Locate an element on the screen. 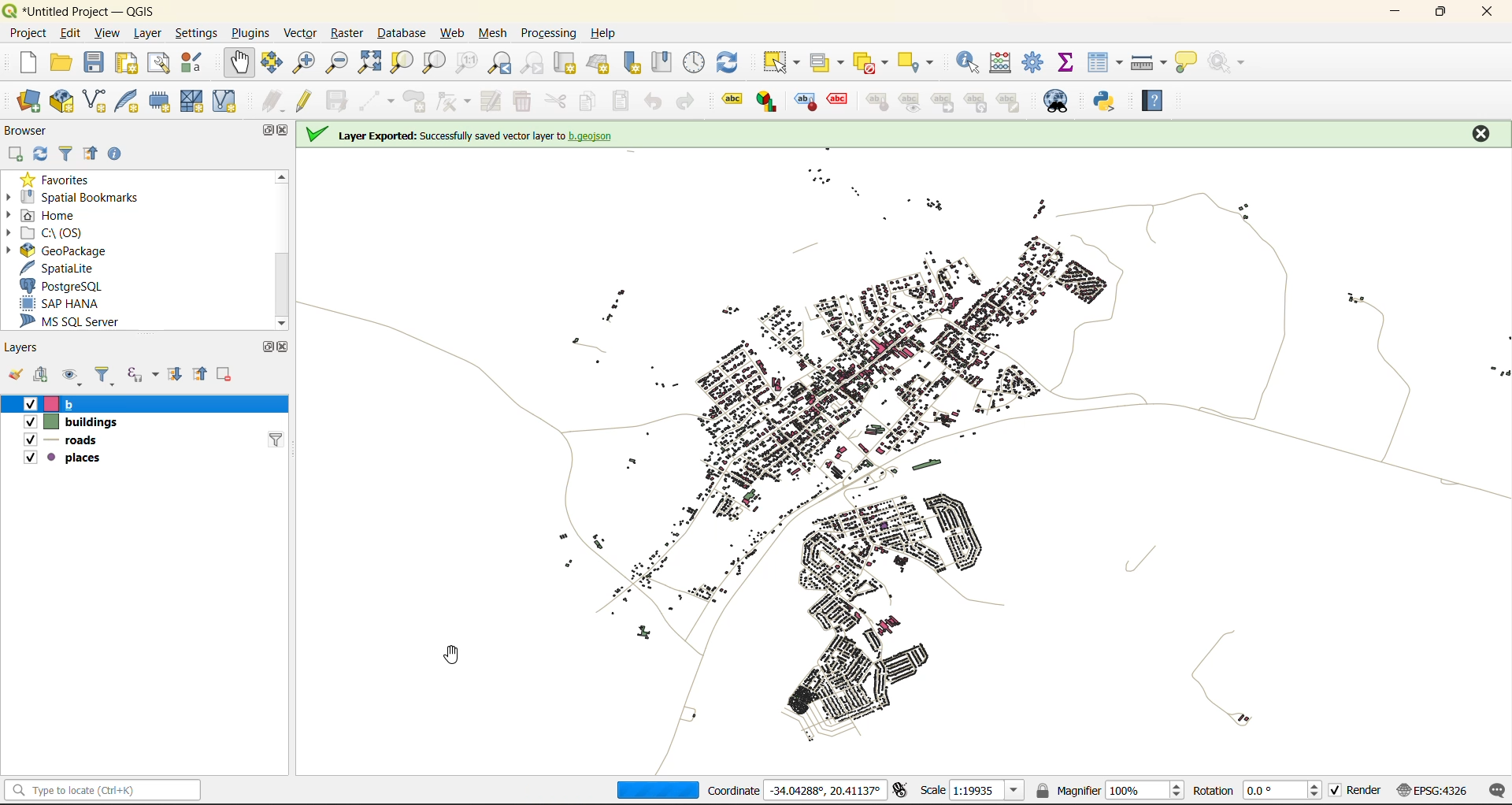 The width and height of the screenshot is (1512, 805). filter by expression is located at coordinates (143, 376).